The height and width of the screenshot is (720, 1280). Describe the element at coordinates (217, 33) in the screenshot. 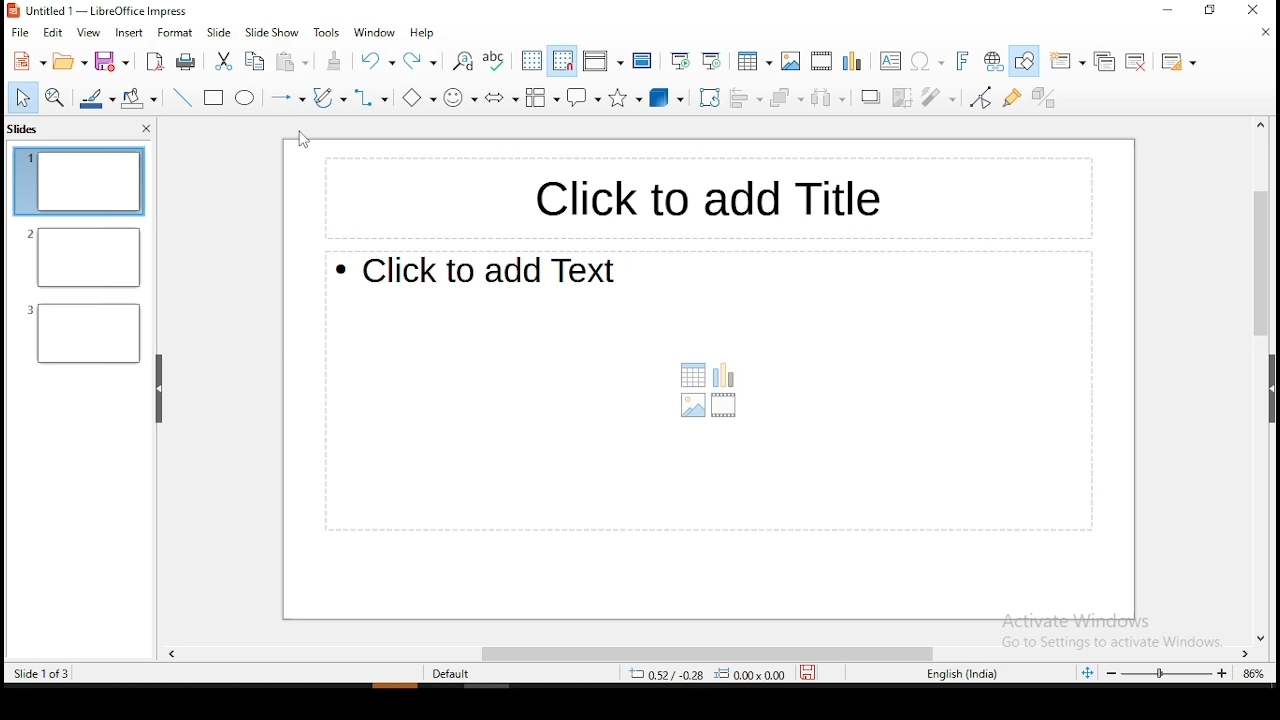

I see `slide` at that location.